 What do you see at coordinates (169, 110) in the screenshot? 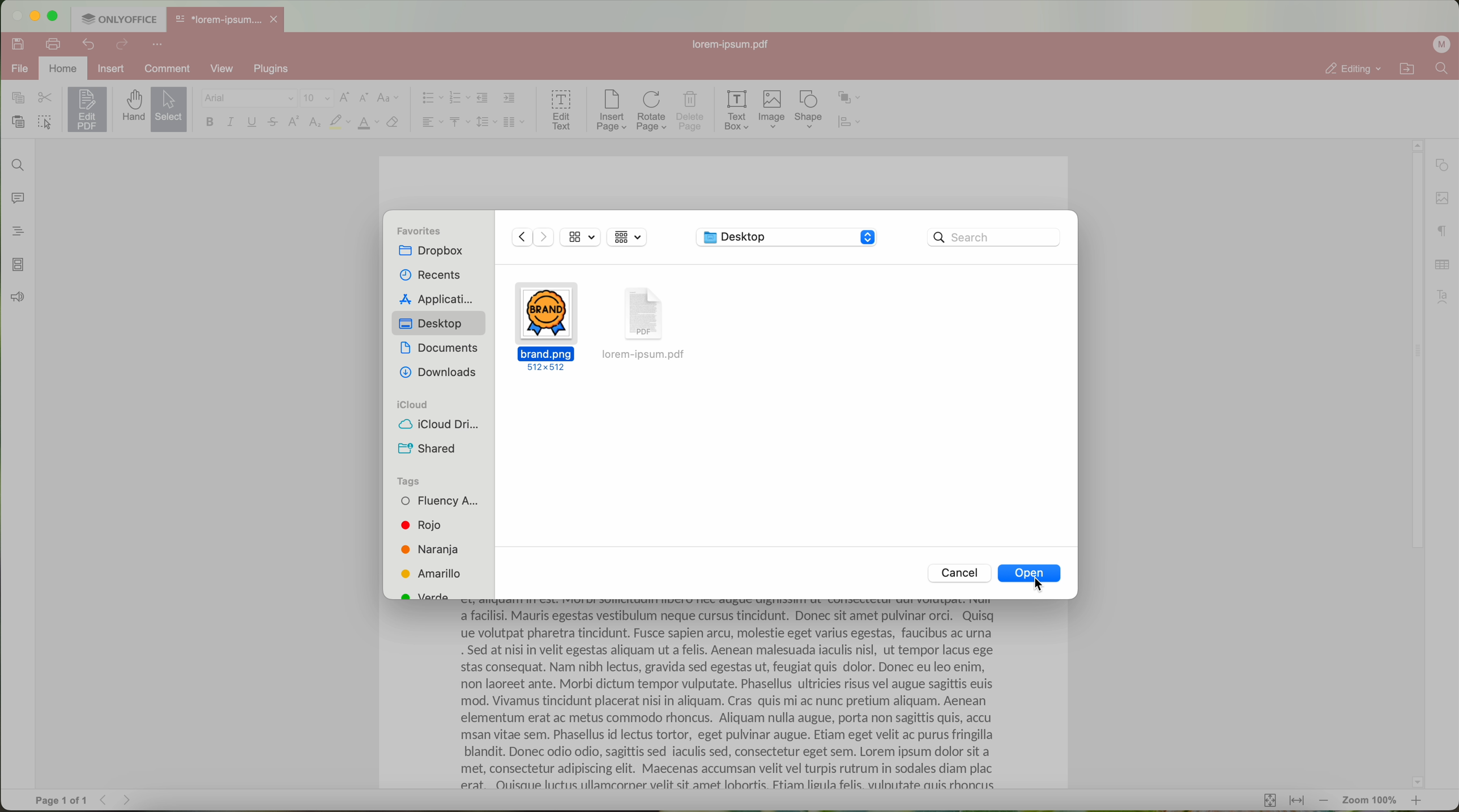
I see `select` at bounding box center [169, 110].